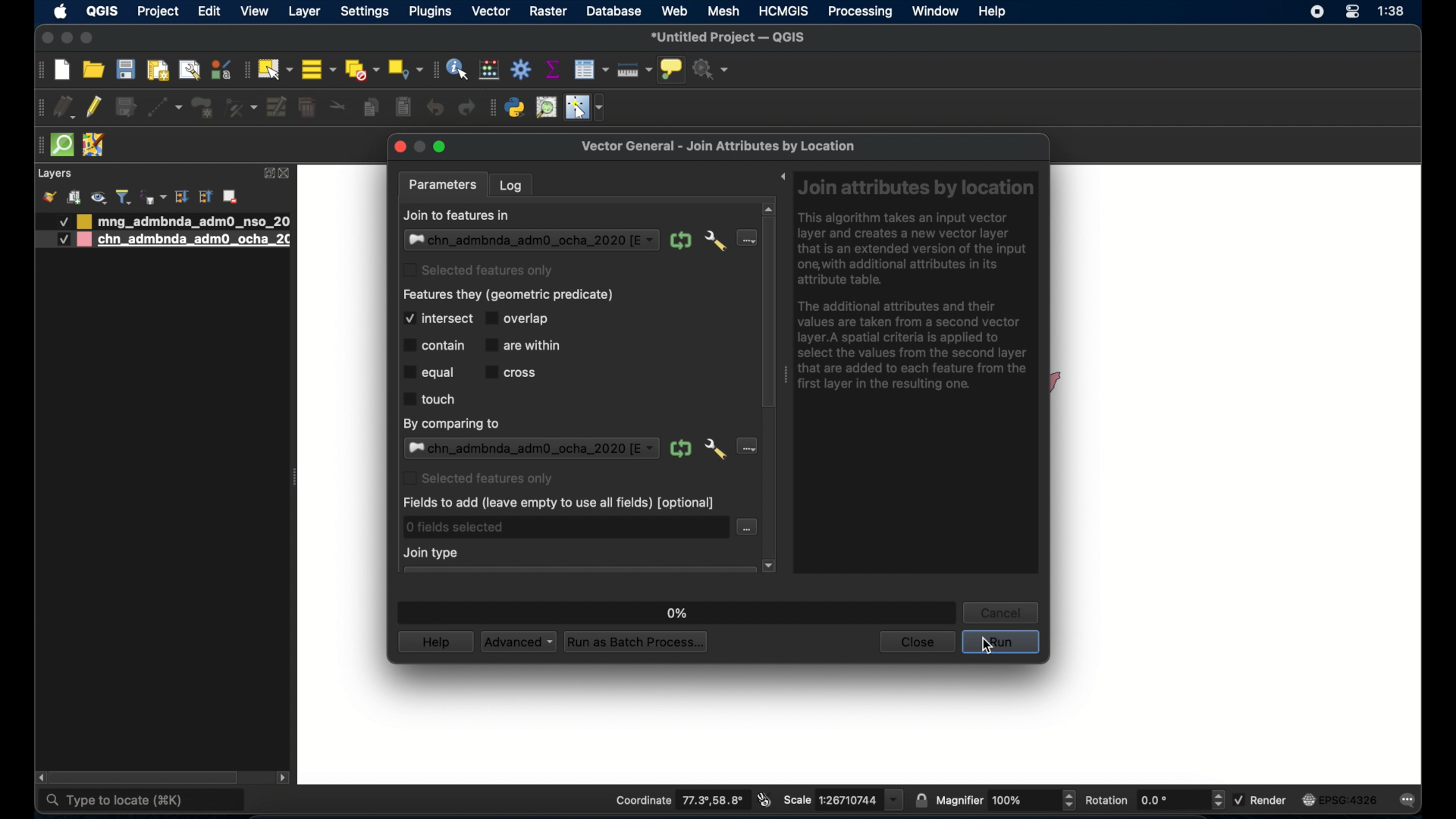  Describe the element at coordinates (675, 11) in the screenshot. I see `web` at that location.